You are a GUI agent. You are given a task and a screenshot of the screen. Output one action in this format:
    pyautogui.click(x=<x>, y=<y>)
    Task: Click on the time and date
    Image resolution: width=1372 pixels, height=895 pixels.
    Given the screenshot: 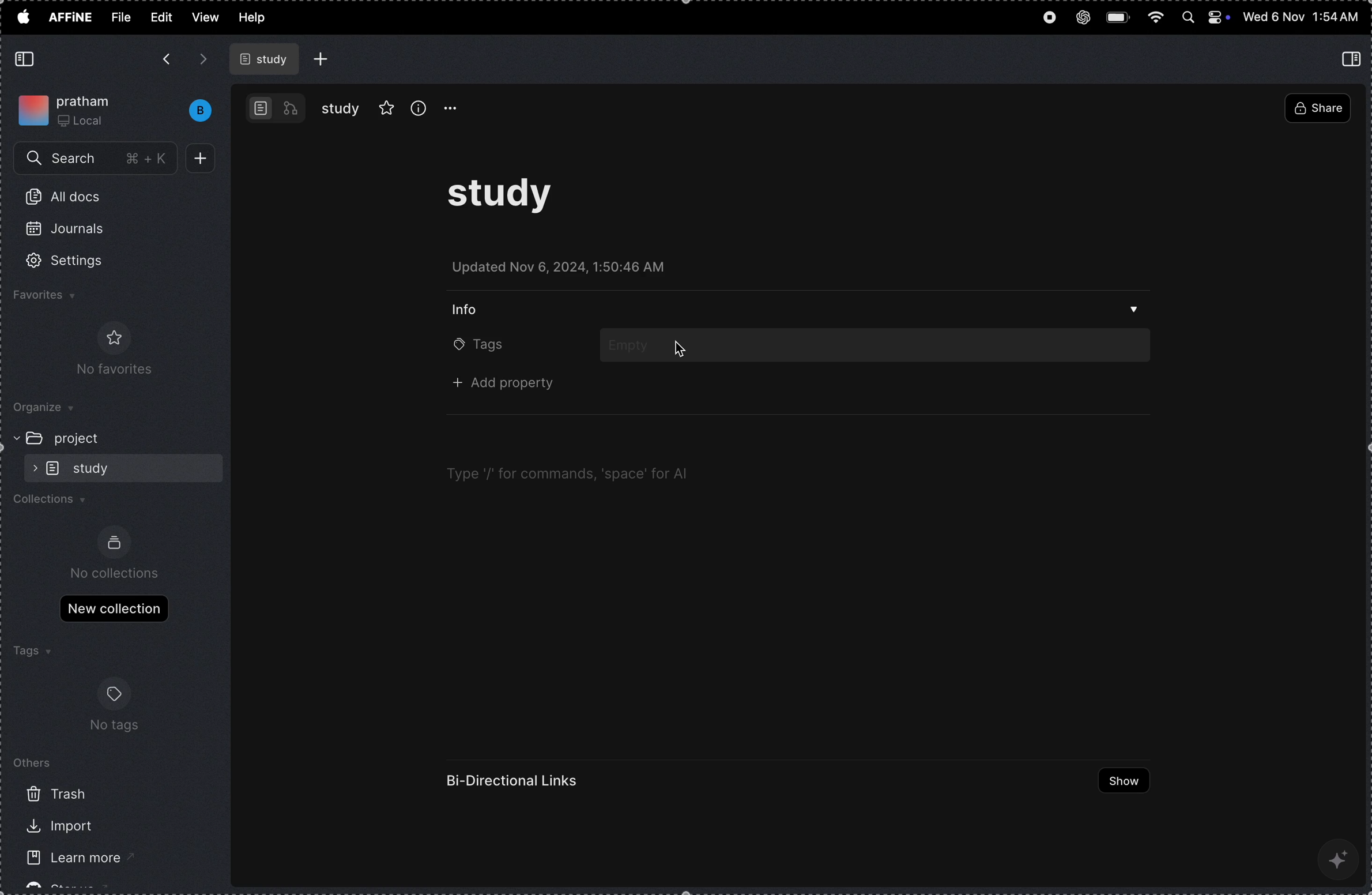 What is the action you would take?
    pyautogui.click(x=1301, y=17)
    